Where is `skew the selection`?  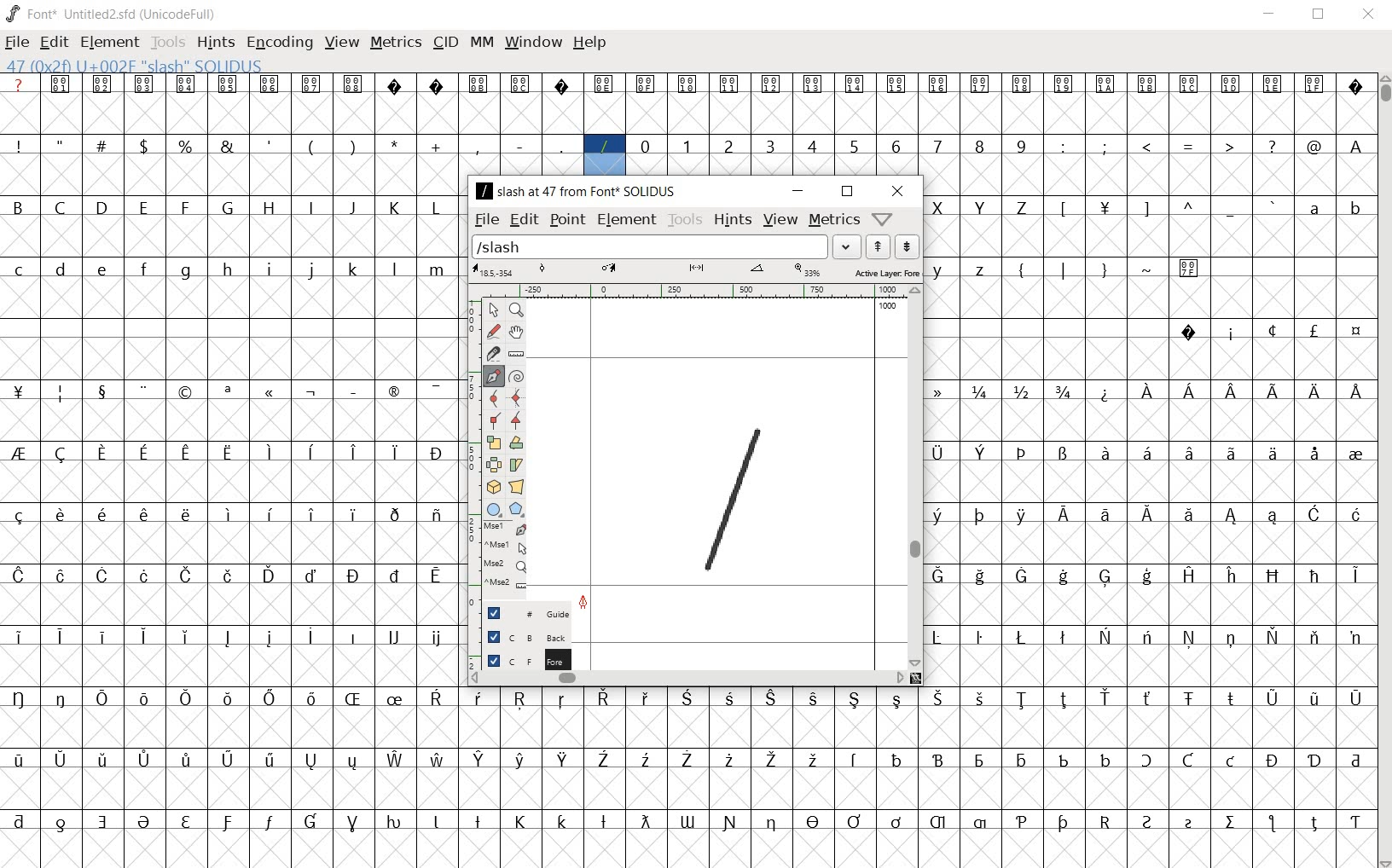 skew the selection is located at coordinates (516, 465).